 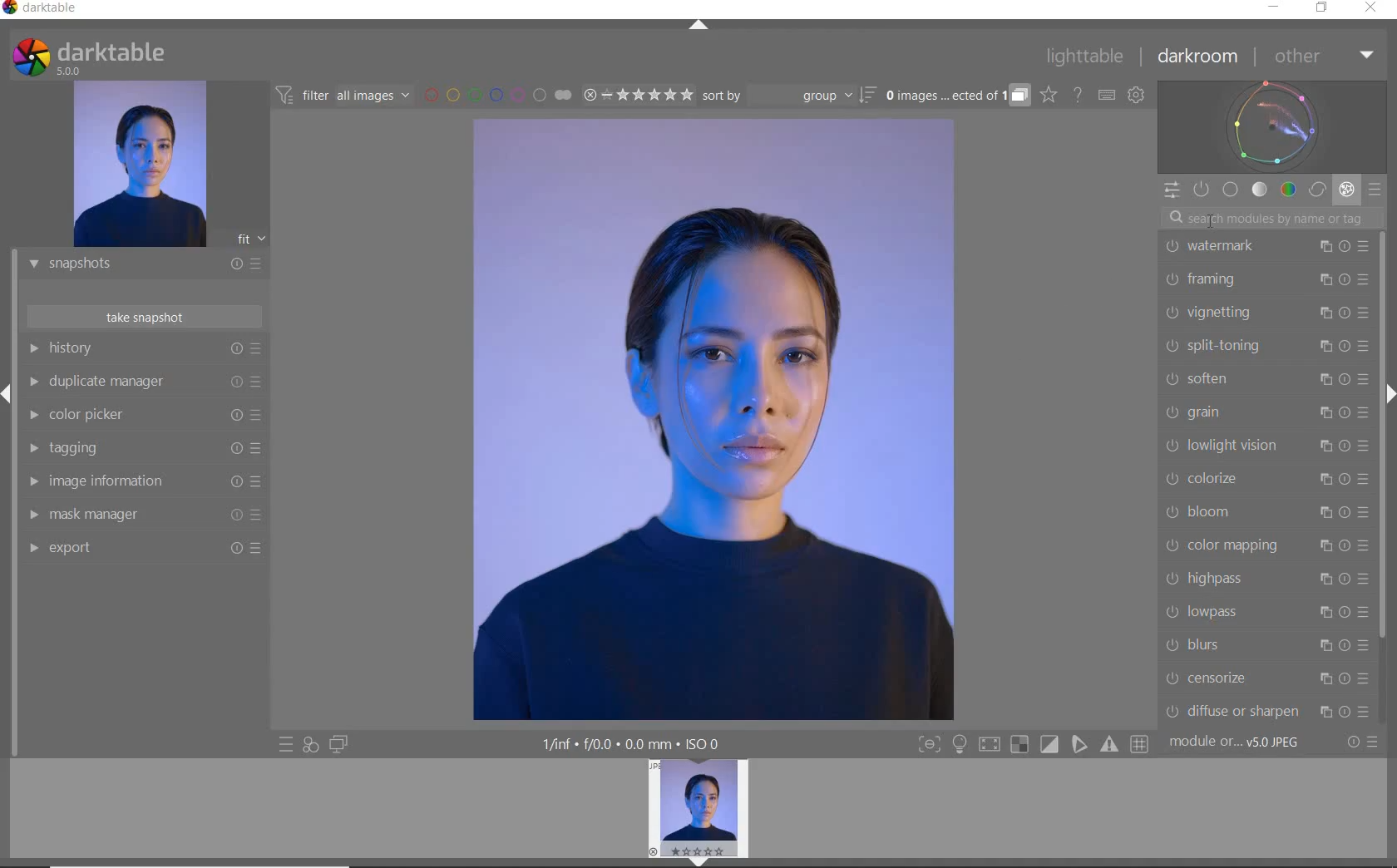 I want to click on Button, so click(x=1019, y=745).